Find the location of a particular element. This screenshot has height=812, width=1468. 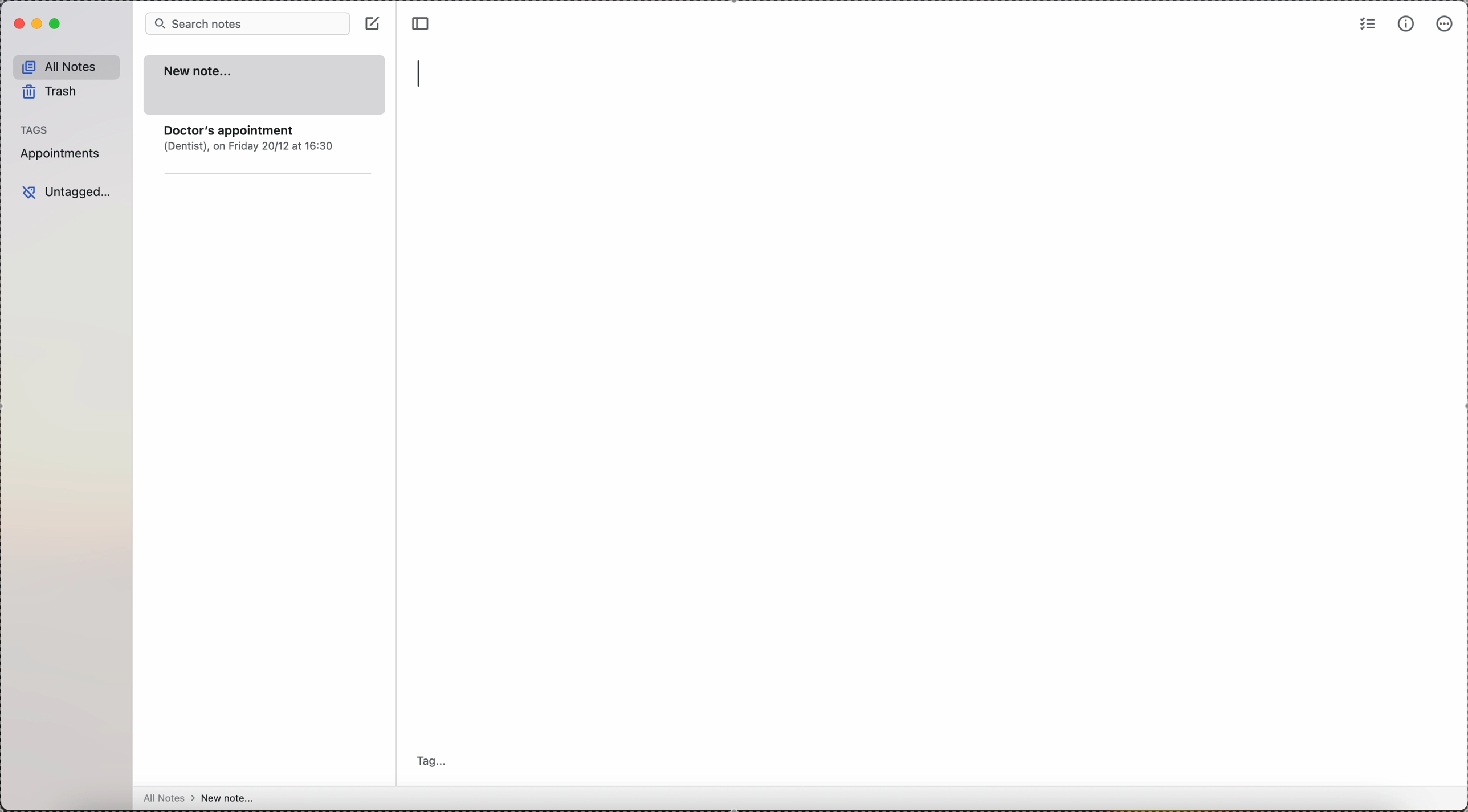

untagged is located at coordinates (64, 191).